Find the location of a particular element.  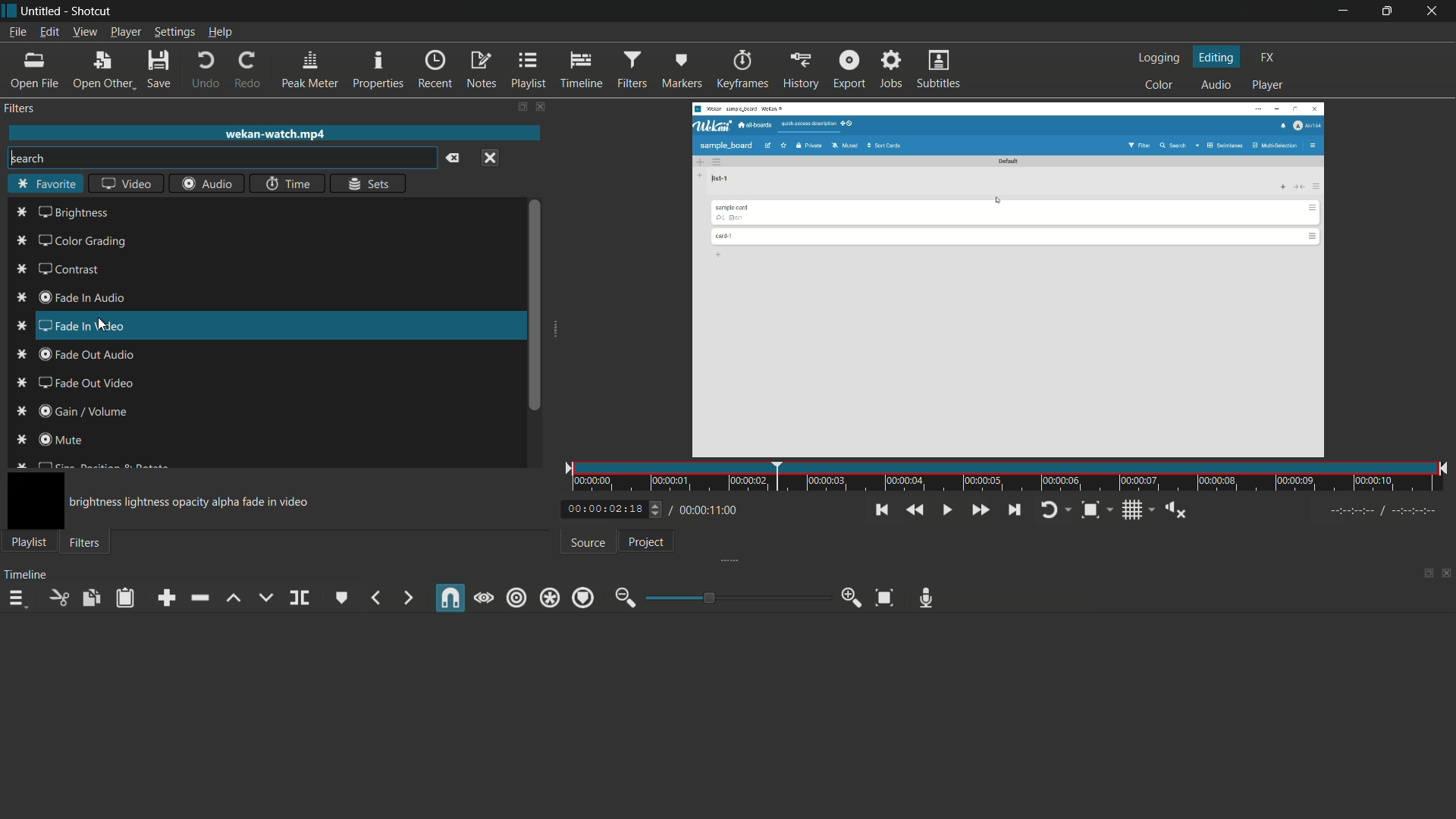

open file is located at coordinates (33, 71).